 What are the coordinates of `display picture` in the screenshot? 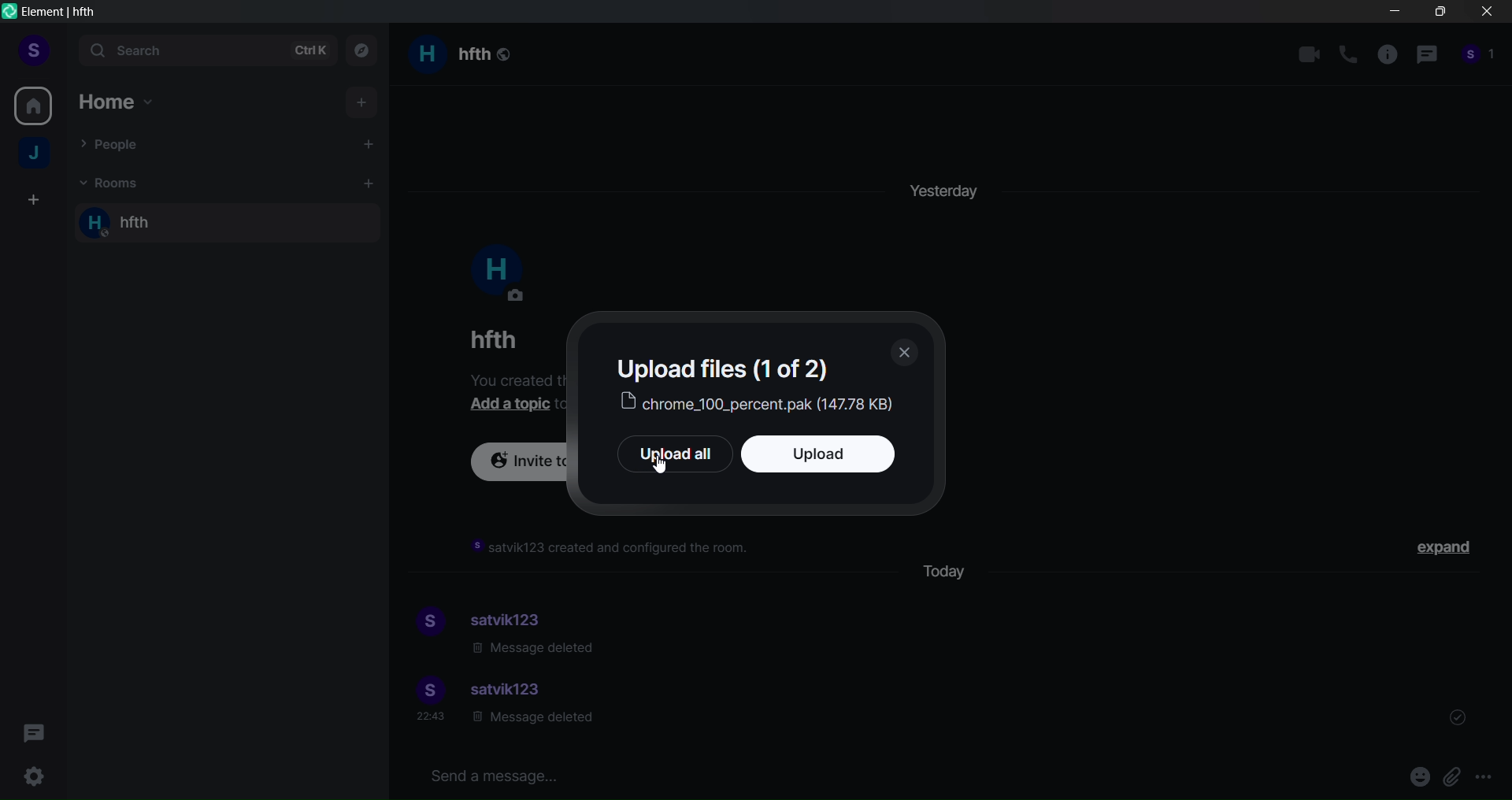 It's located at (426, 623).